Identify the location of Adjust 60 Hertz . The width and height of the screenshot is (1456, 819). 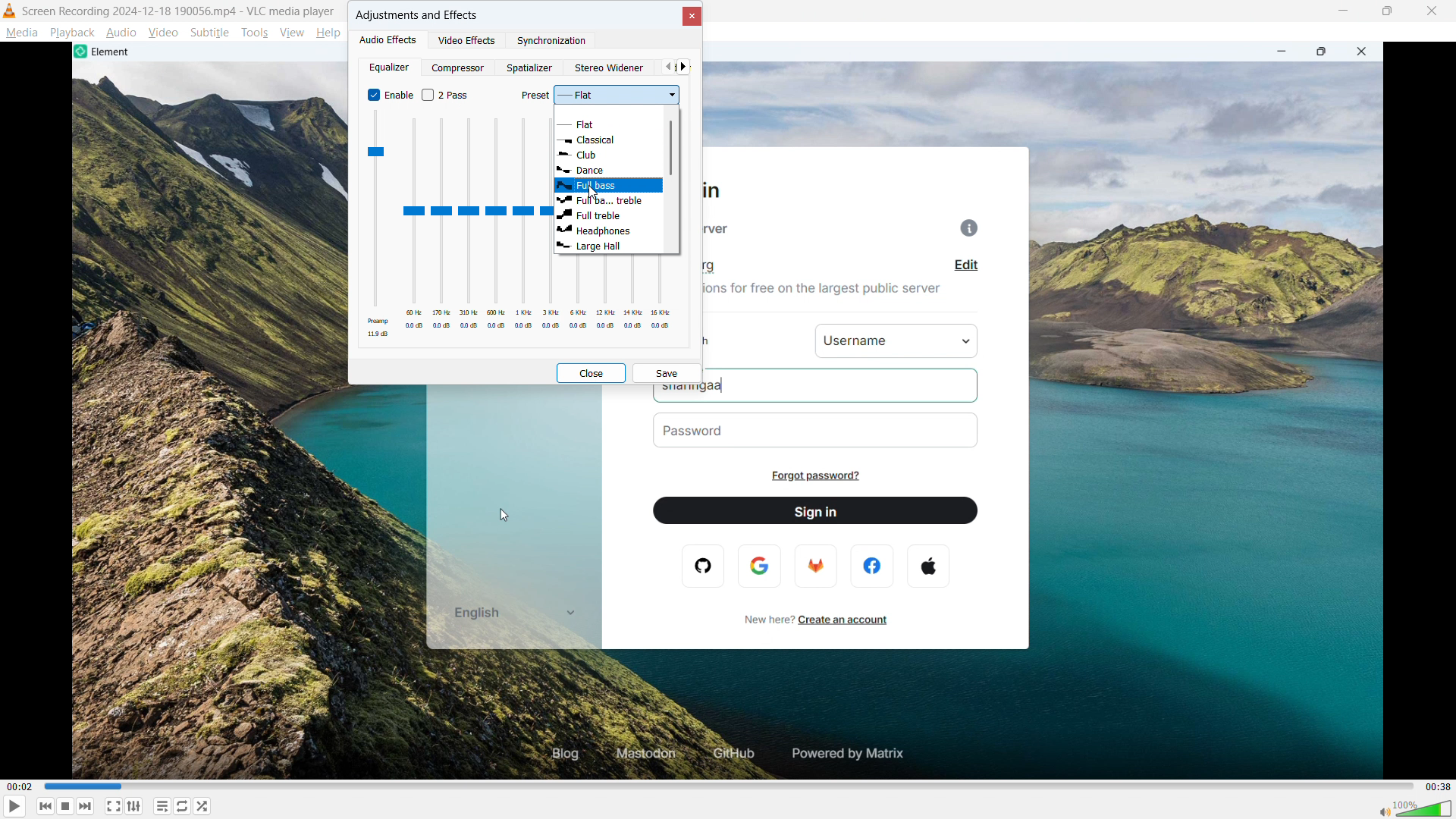
(414, 225).